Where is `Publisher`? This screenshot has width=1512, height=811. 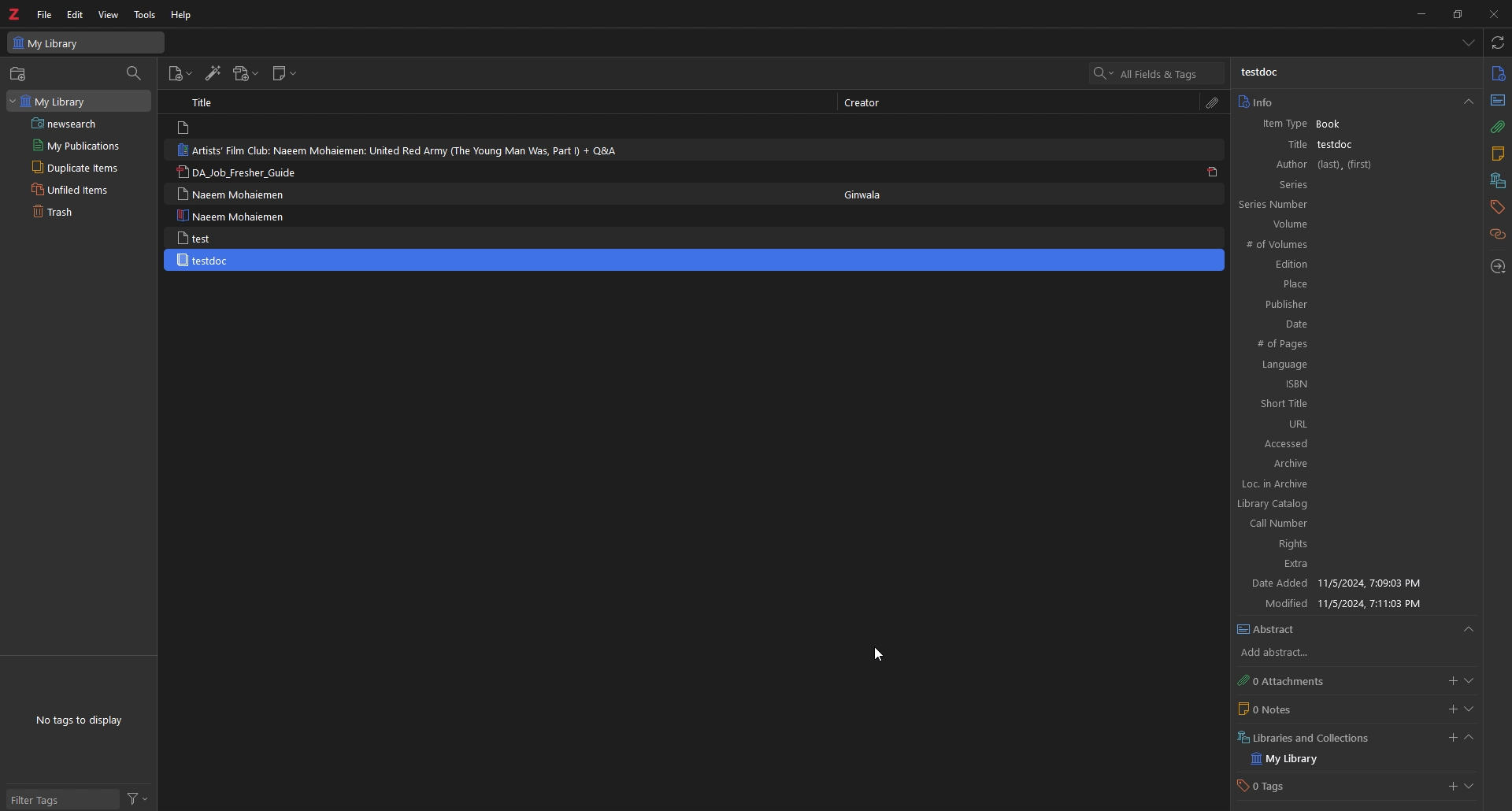
Publisher is located at coordinates (1345, 303).